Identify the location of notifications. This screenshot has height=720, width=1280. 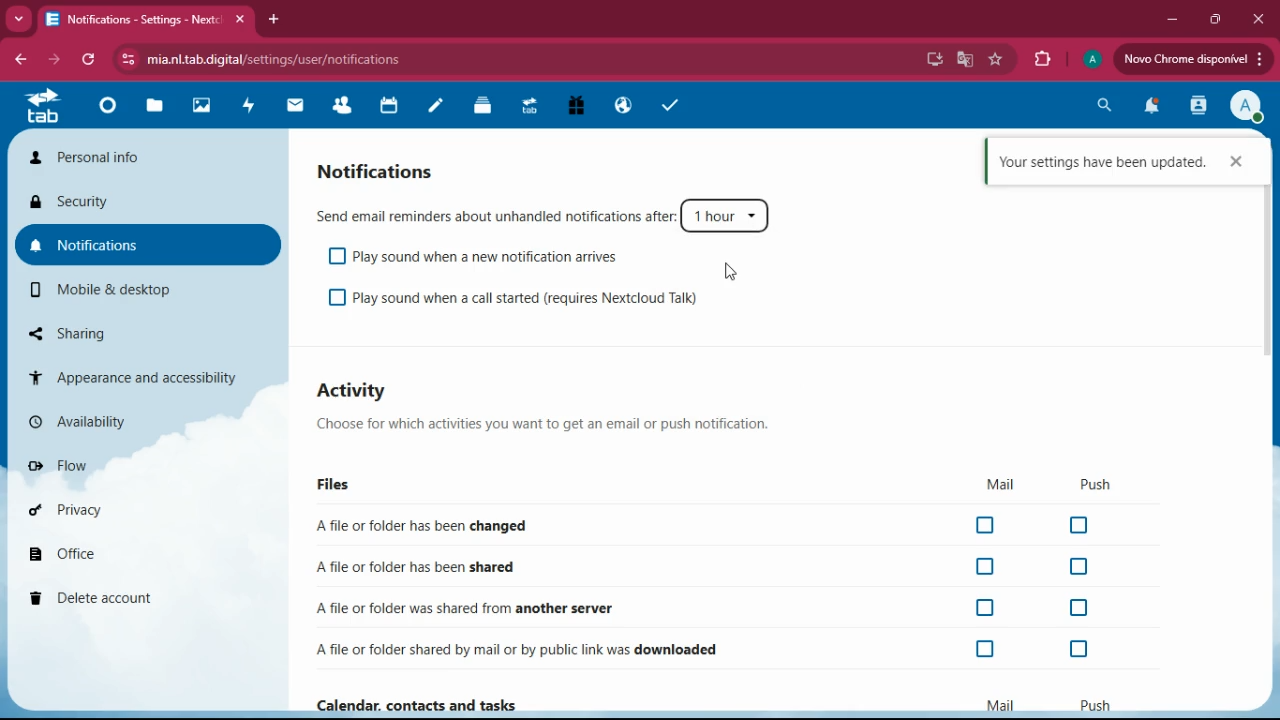
(1149, 109).